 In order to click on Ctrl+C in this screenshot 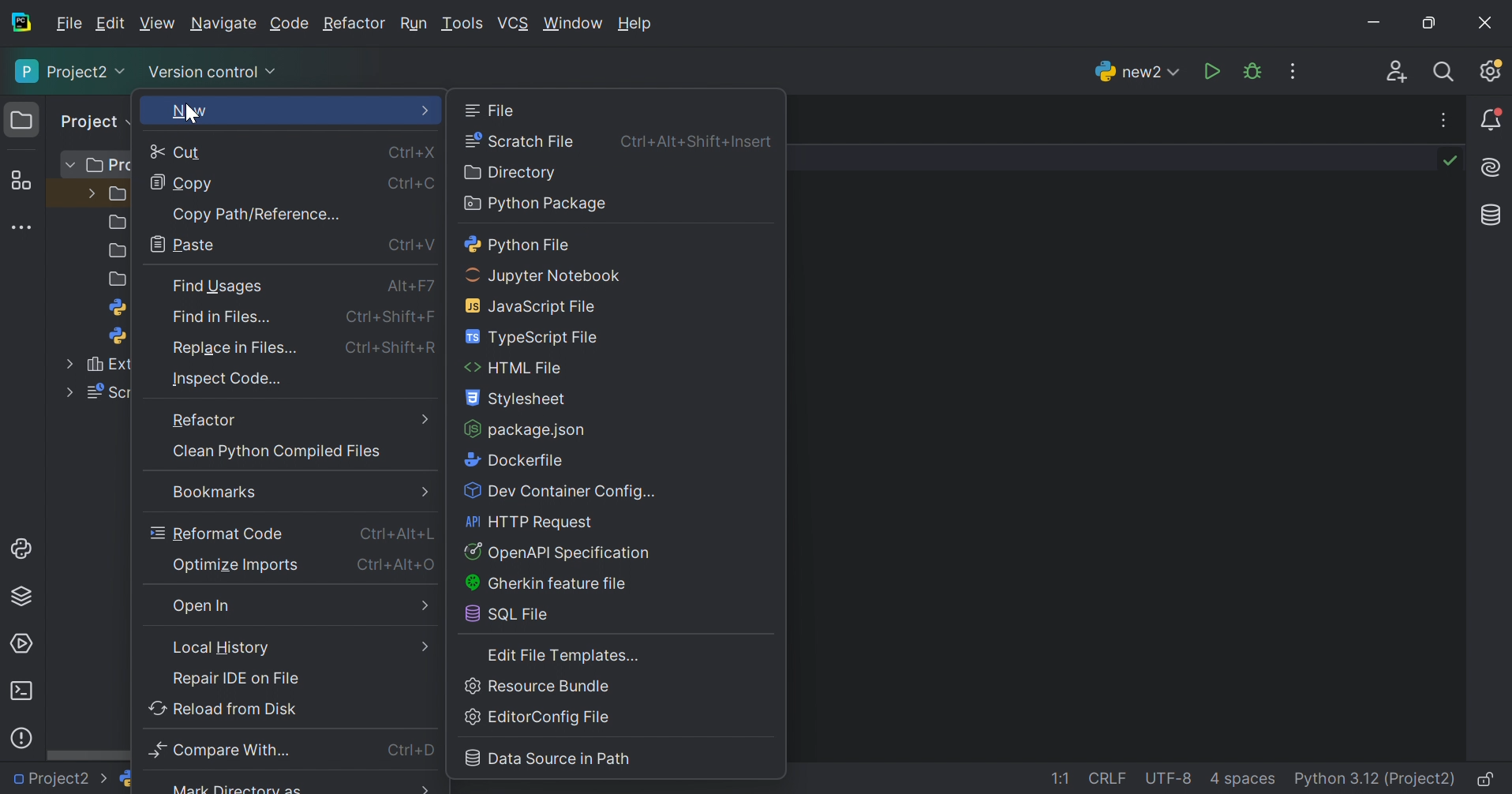, I will do `click(415, 184)`.